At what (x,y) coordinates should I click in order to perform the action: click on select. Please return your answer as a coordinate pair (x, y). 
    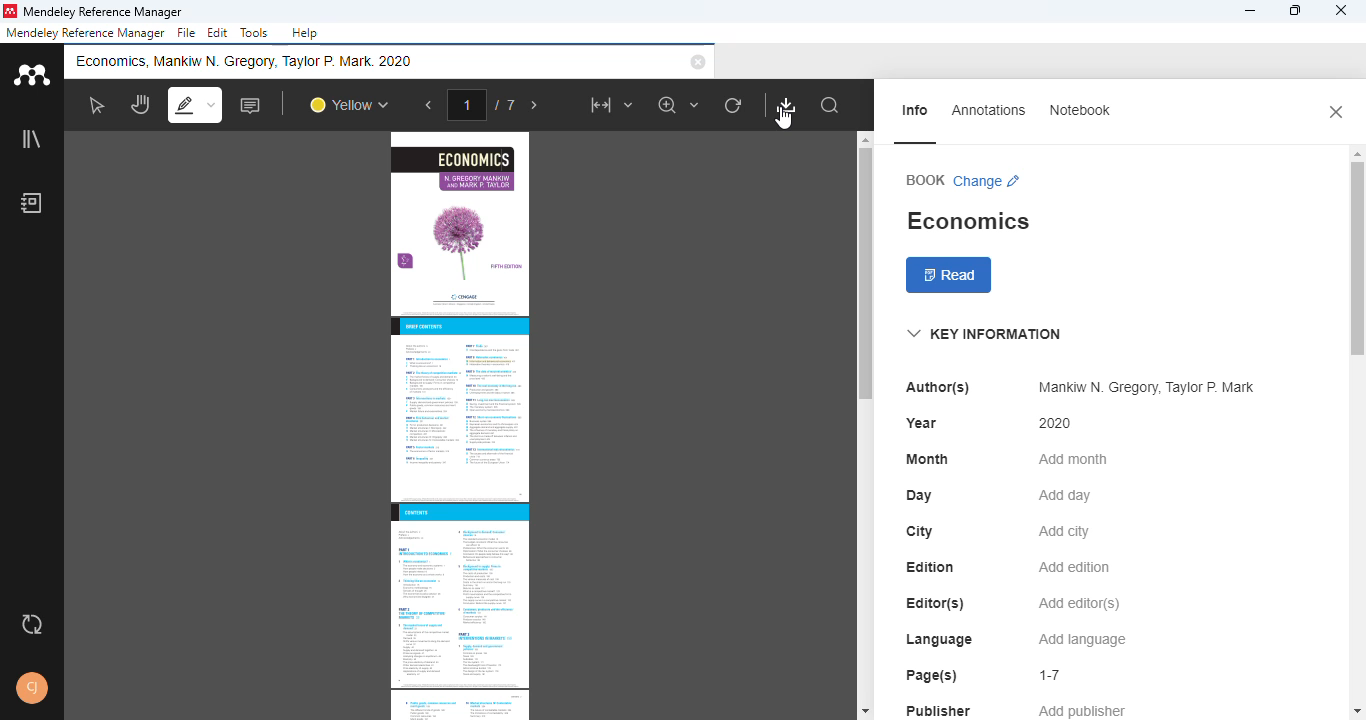
    Looking at the image, I should click on (95, 105).